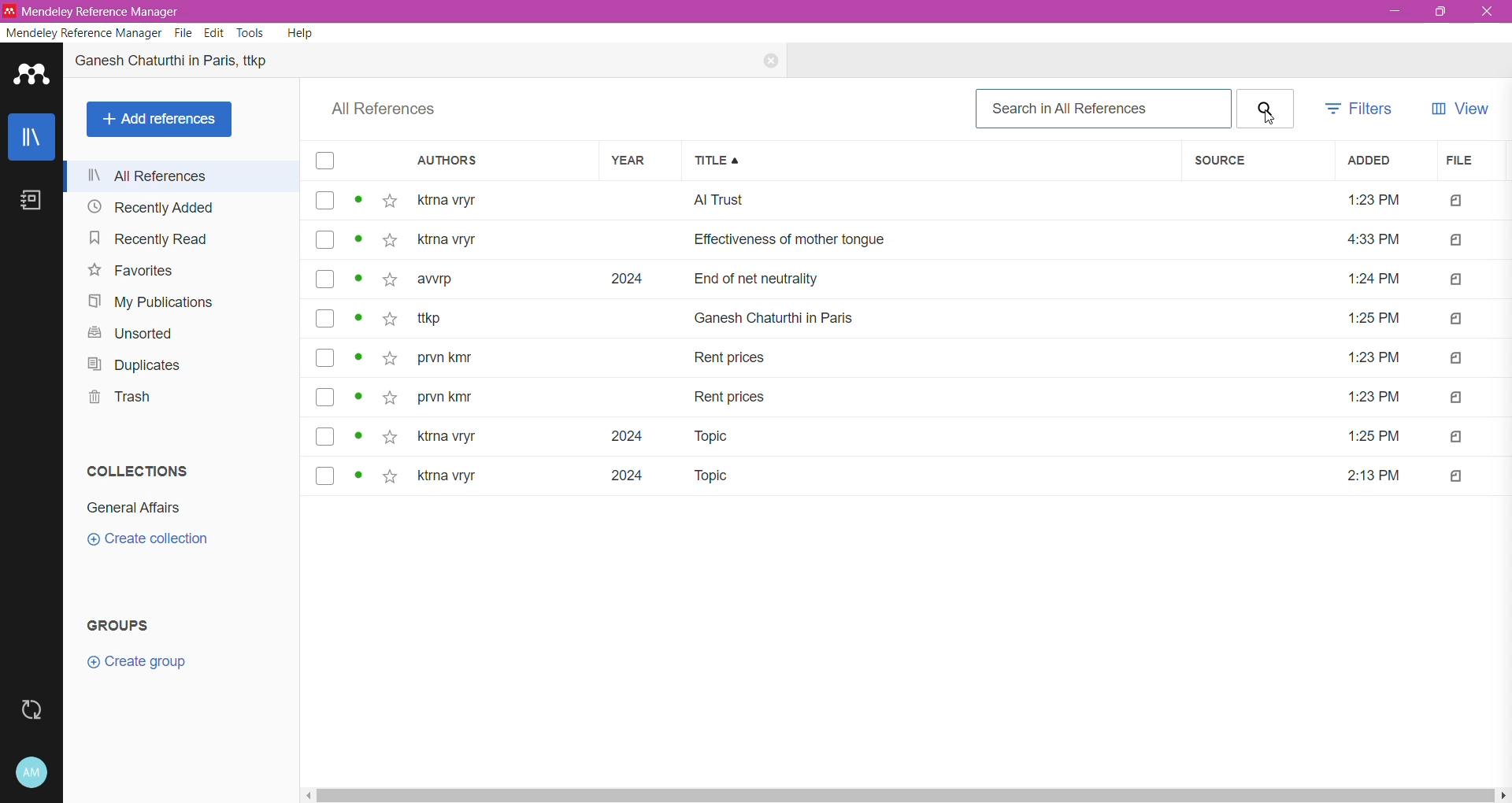 The height and width of the screenshot is (803, 1512). What do you see at coordinates (763, 62) in the screenshot?
I see `Close` at bounding box center [763, 62].